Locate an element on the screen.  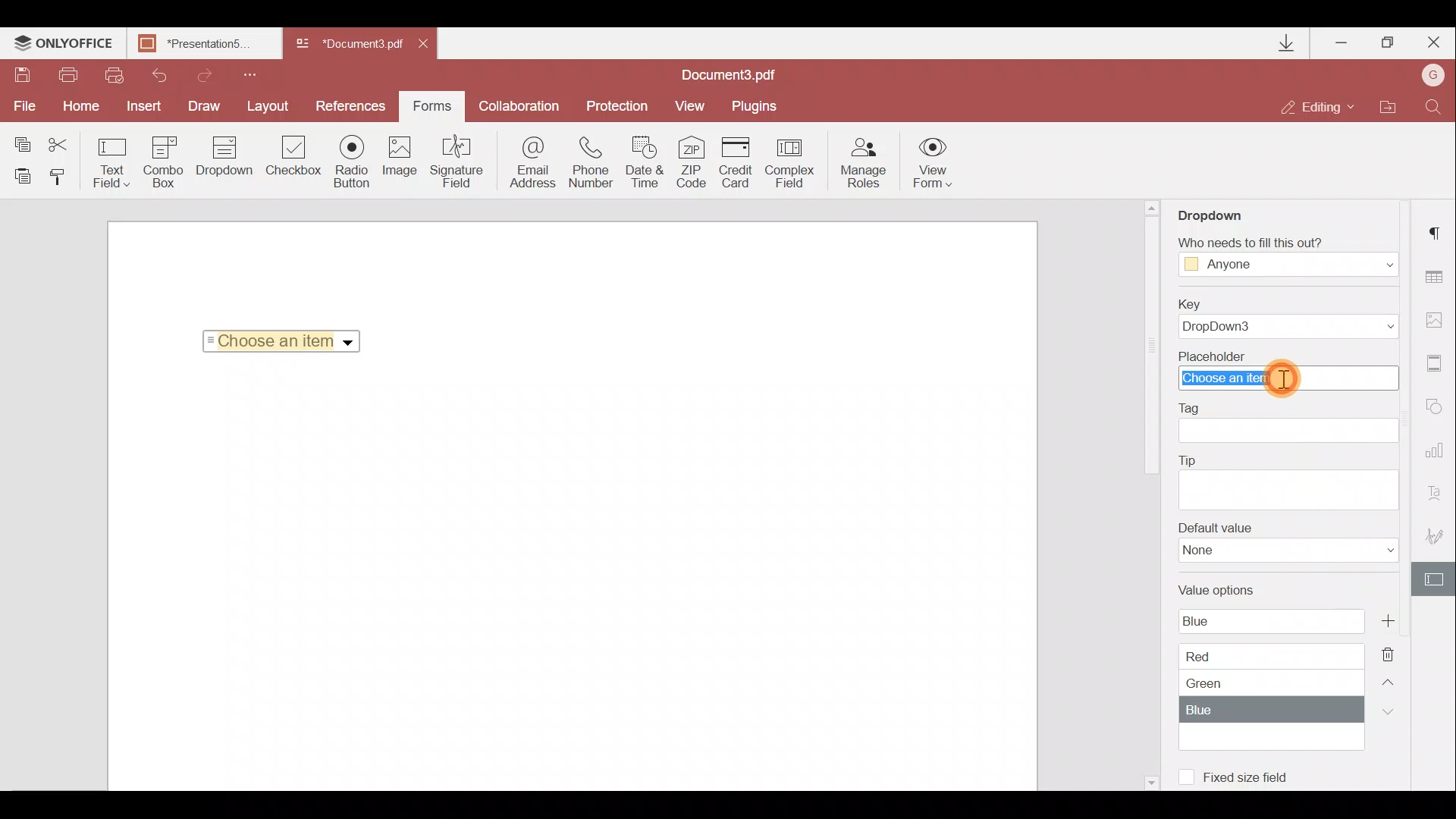
Account name is located at coordinates (1433, 74).